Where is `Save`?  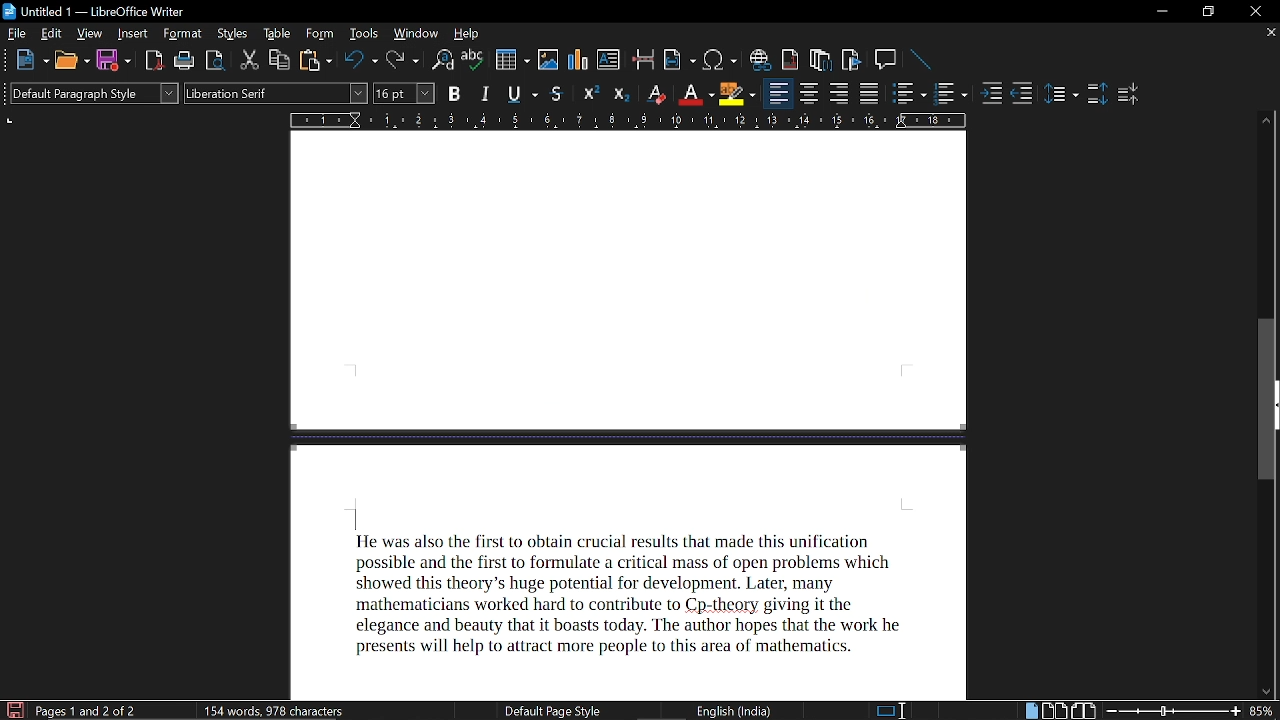
Save is located at coordinates (114, 61).